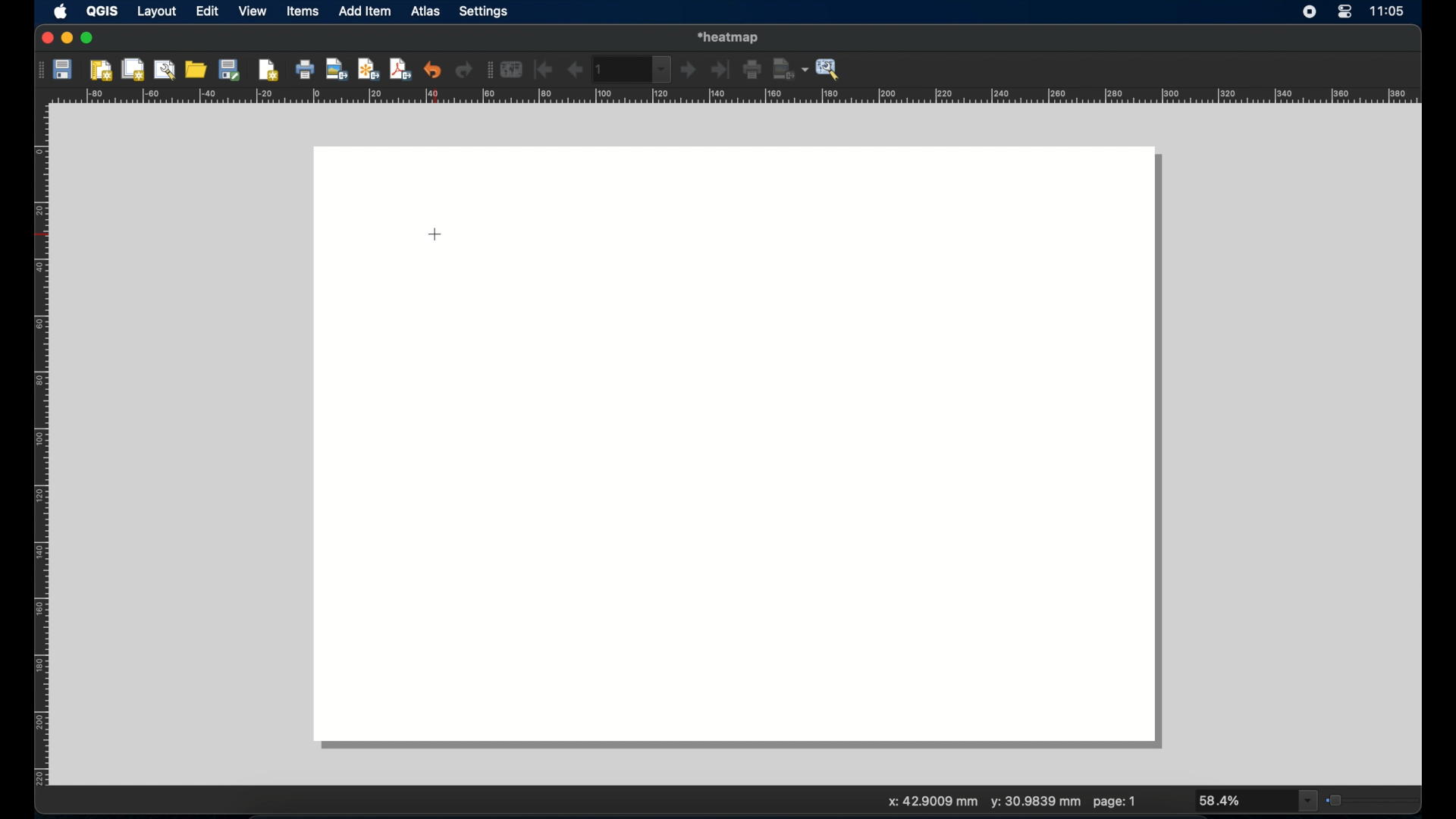 The height and width of the screenshot is (819, 1456). Describe the element at coordinates (485, 12) in the screenshot. I see `settings` at that location.